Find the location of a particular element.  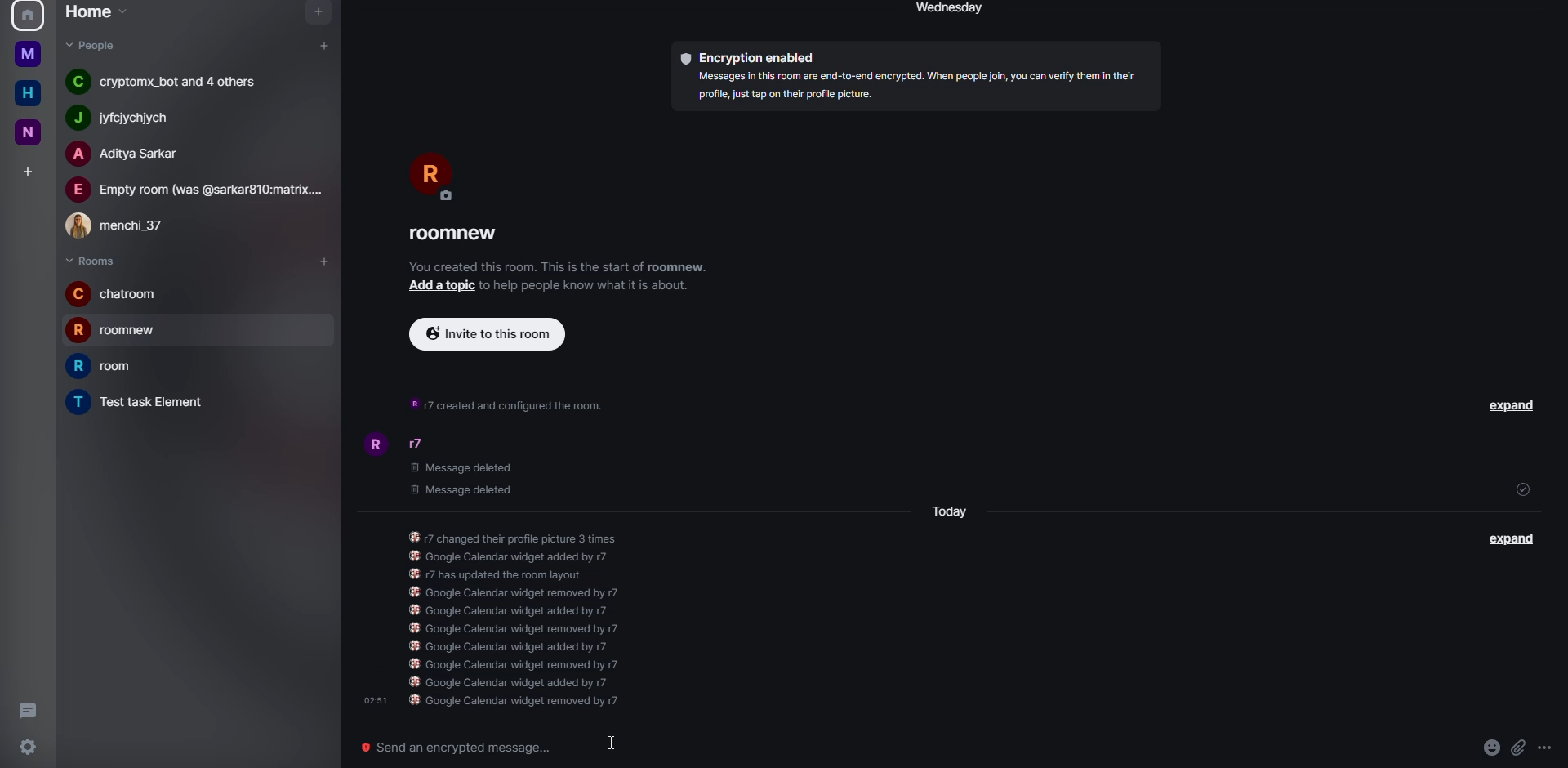

encryption enabled is located at coordinates (755, 57).